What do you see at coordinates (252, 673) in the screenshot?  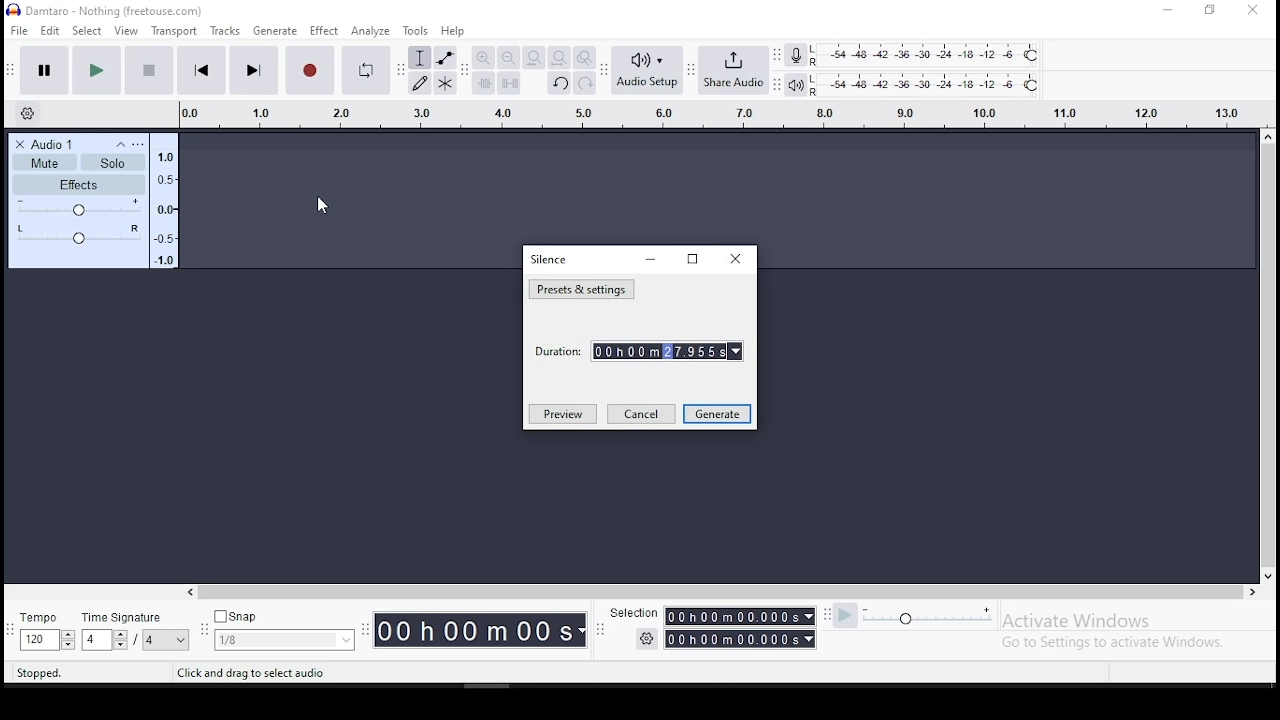 I see `click and drag to select audio` at bounding box center [252, 673].